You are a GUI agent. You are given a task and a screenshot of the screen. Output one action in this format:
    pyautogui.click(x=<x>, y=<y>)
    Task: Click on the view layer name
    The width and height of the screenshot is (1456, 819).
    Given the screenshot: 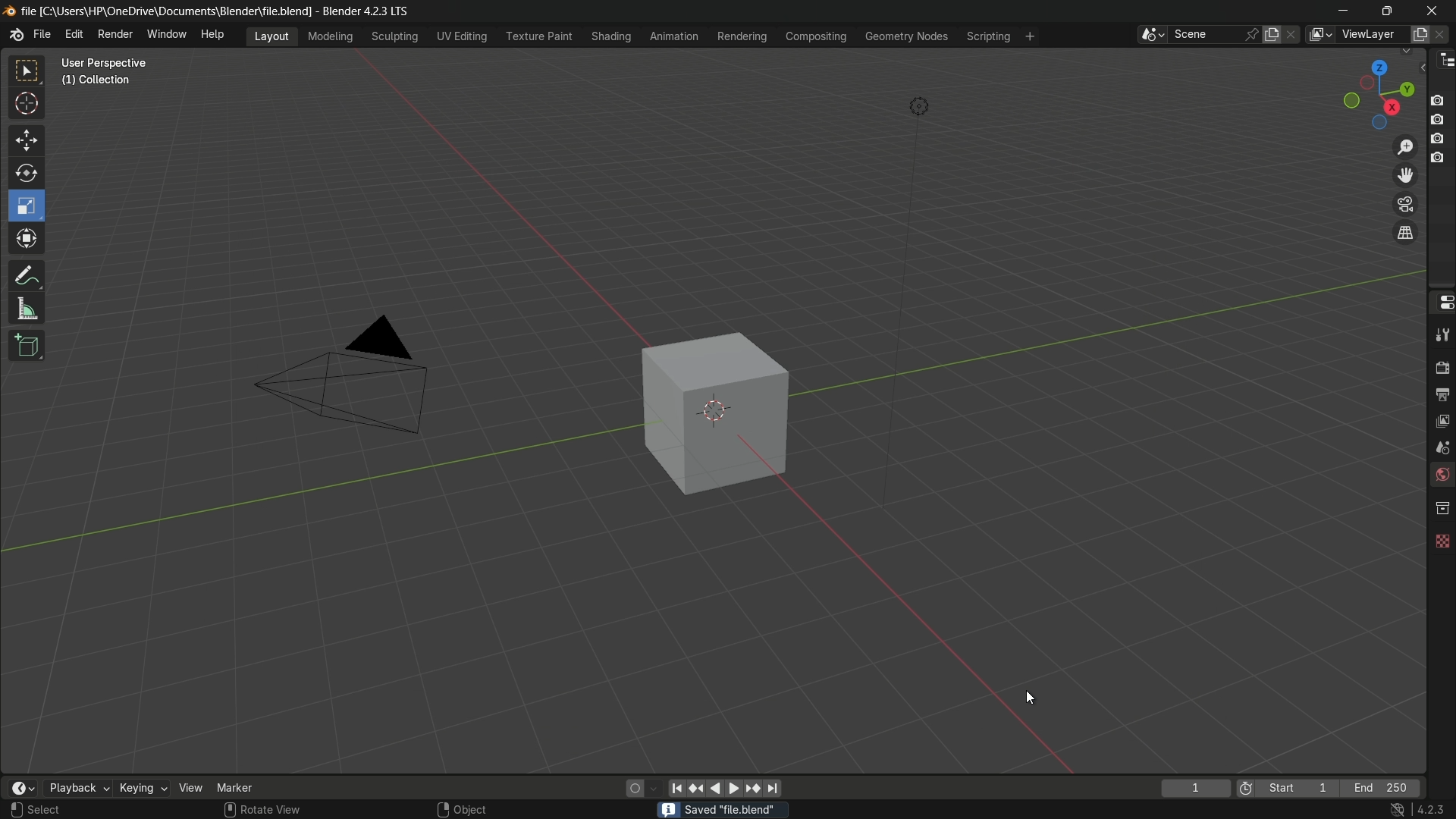 What is the action you would take?
    pyautogui.click(x=1371, y=35)
    